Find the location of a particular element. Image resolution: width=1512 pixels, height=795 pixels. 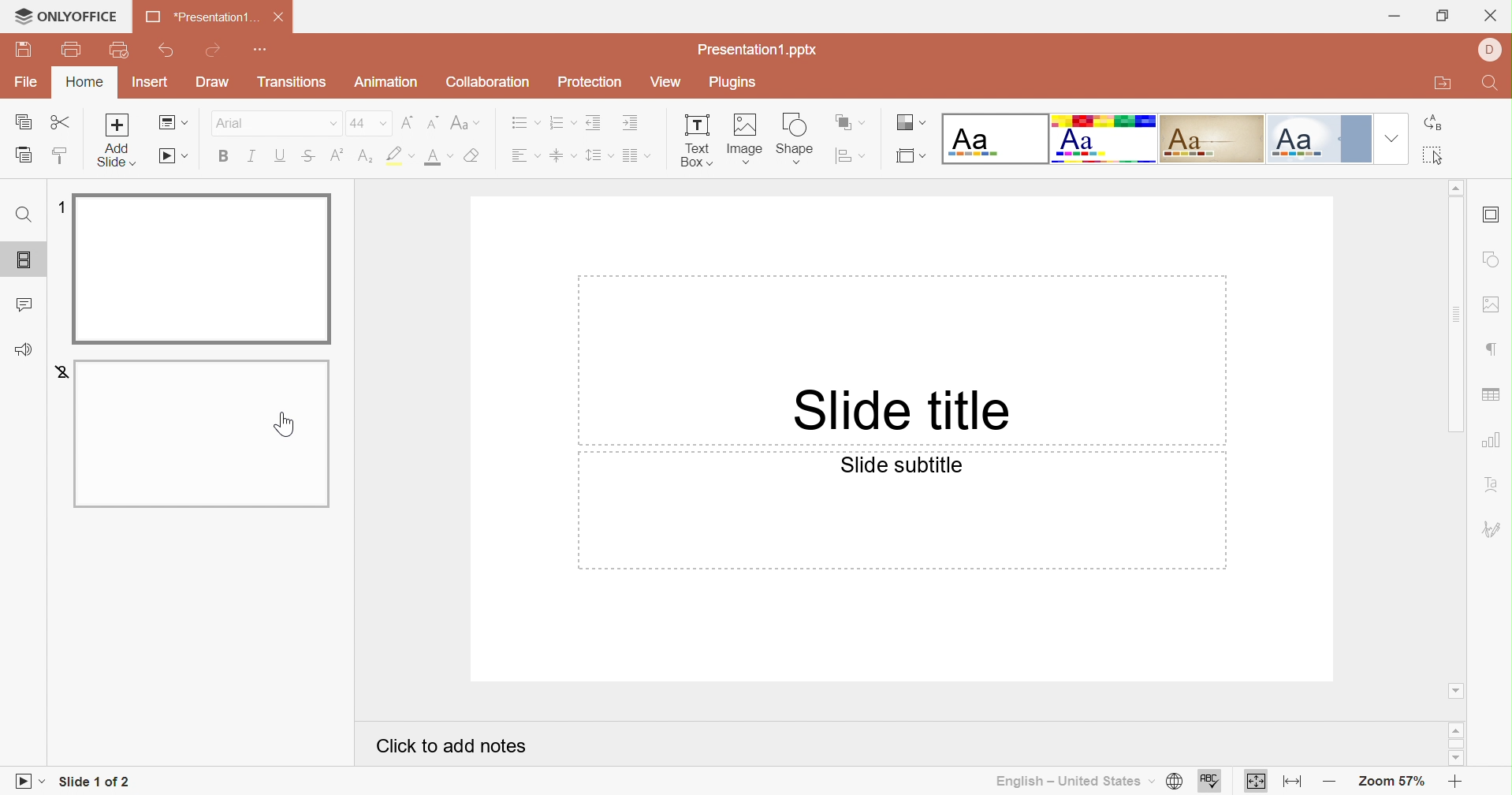

Font color is located at coordinates (438, 159).